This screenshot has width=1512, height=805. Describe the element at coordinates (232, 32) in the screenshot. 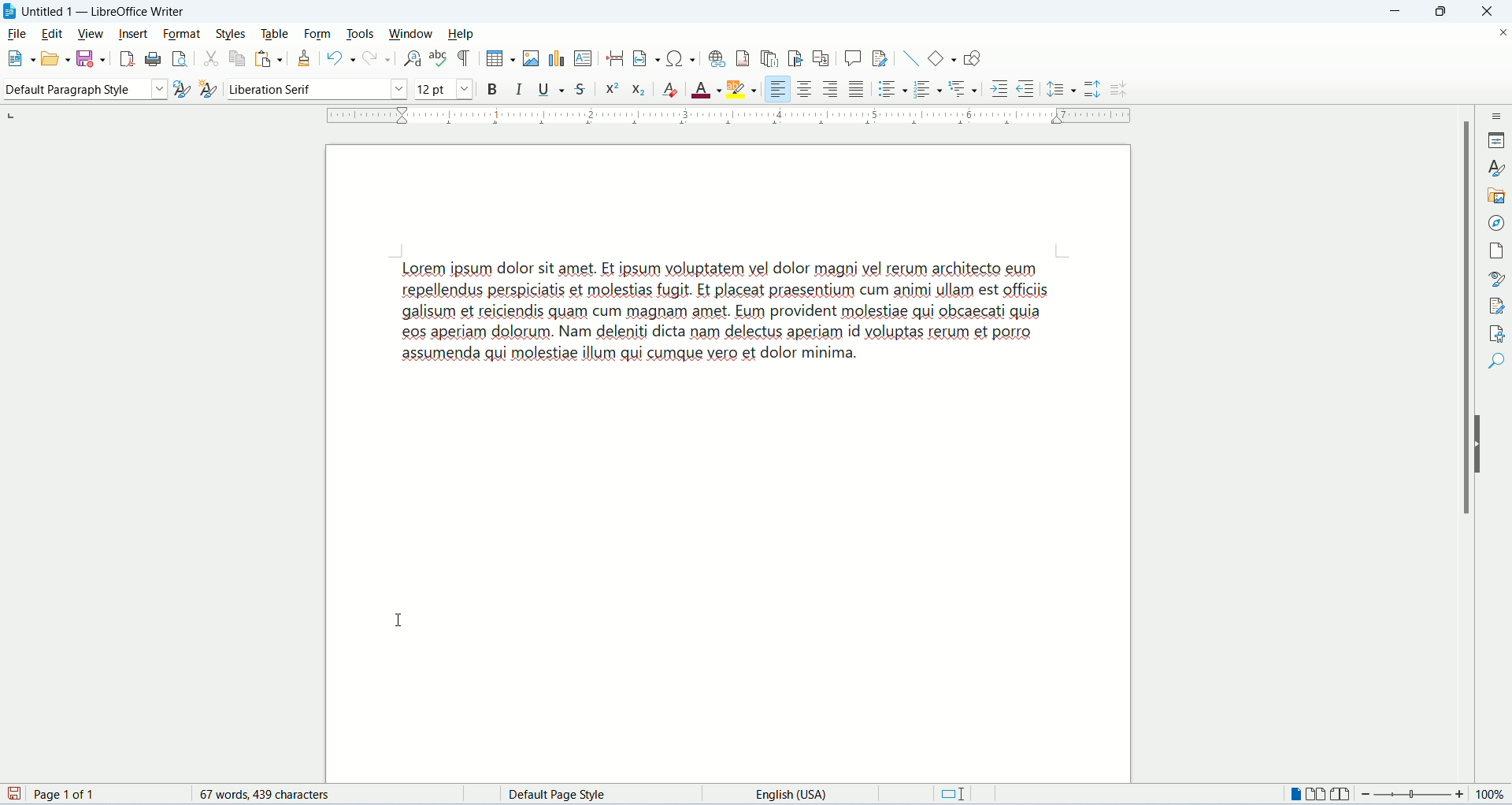

I see `styles` at that location.